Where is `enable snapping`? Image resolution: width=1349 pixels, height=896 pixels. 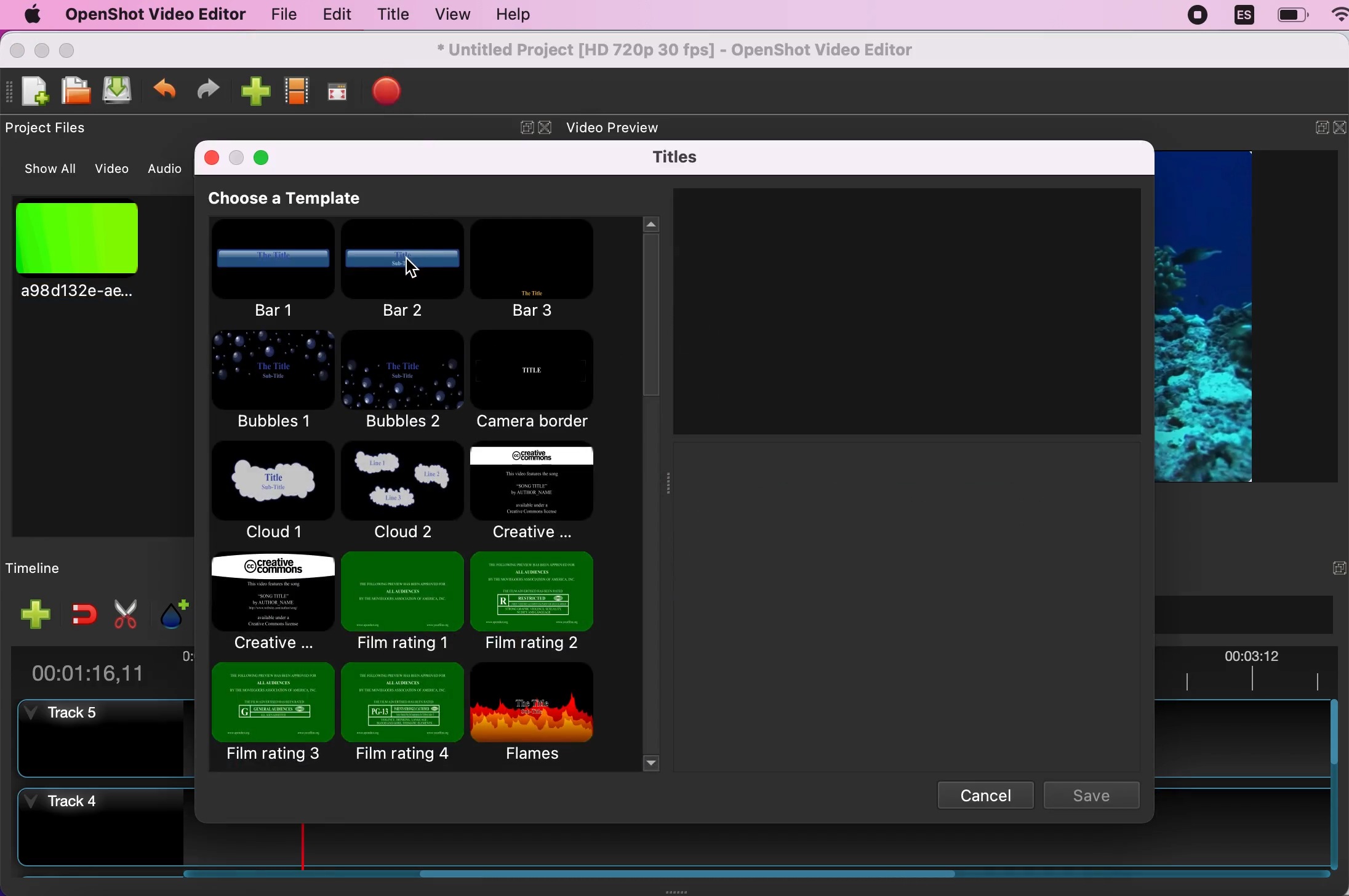 enable snapping is located at coordinates (79, 614).